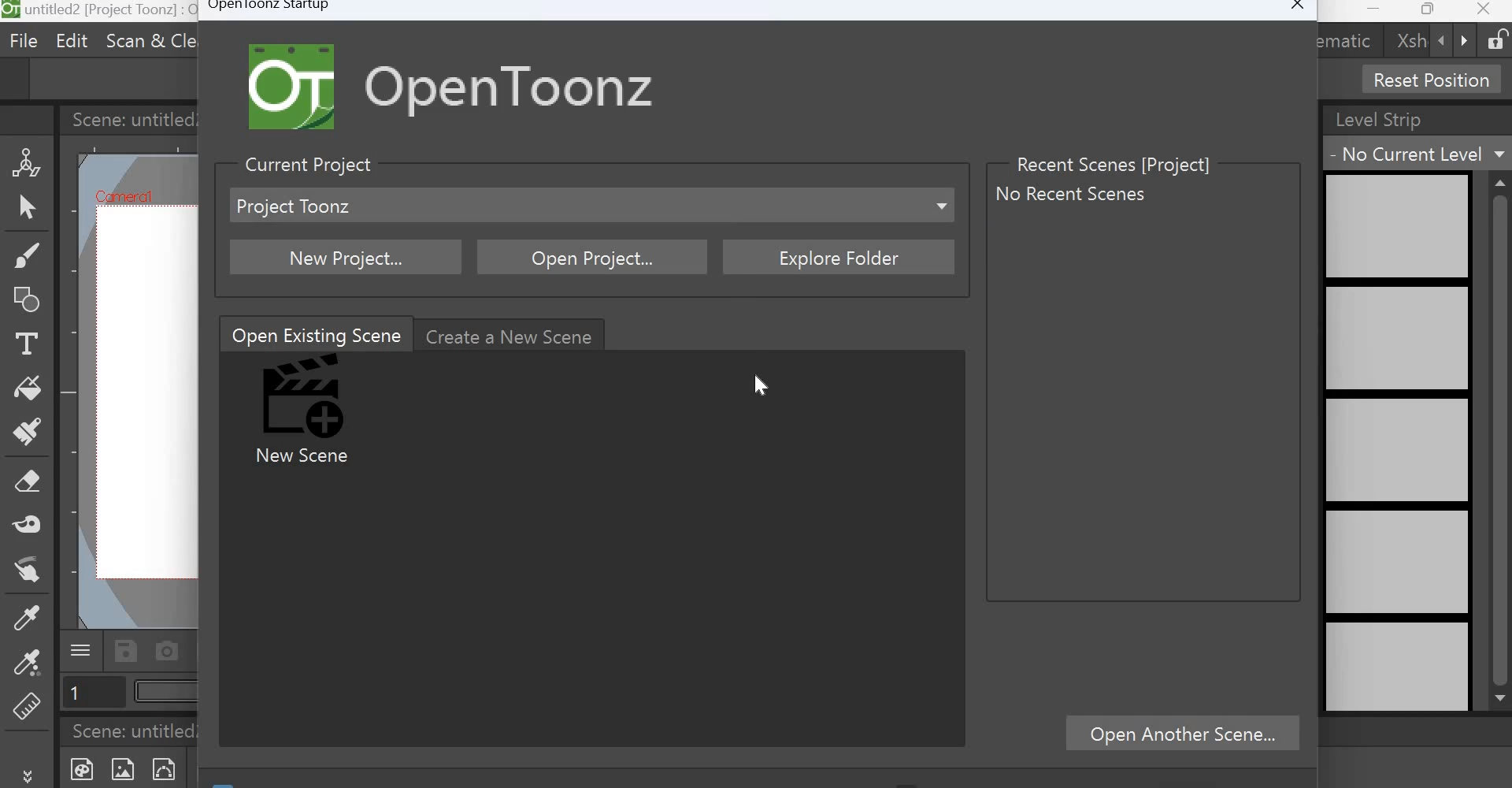 The image size is (1512, 788). I want to click on Open Another scene, so click(1176, 732).